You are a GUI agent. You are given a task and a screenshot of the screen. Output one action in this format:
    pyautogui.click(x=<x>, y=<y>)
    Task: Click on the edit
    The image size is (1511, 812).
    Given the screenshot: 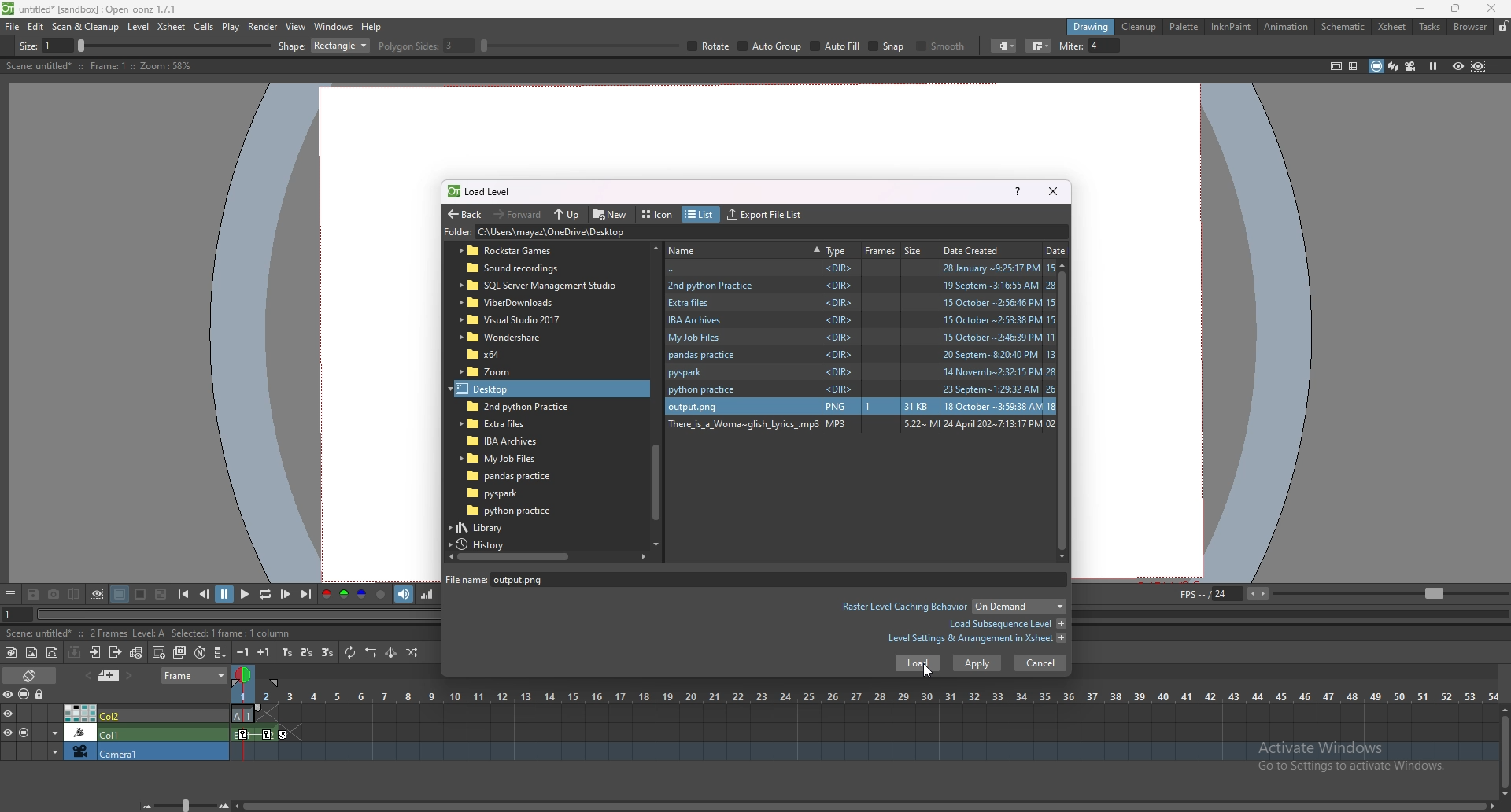 What is the action you would take?
    pyautogui.click(x=36, y=26)
    